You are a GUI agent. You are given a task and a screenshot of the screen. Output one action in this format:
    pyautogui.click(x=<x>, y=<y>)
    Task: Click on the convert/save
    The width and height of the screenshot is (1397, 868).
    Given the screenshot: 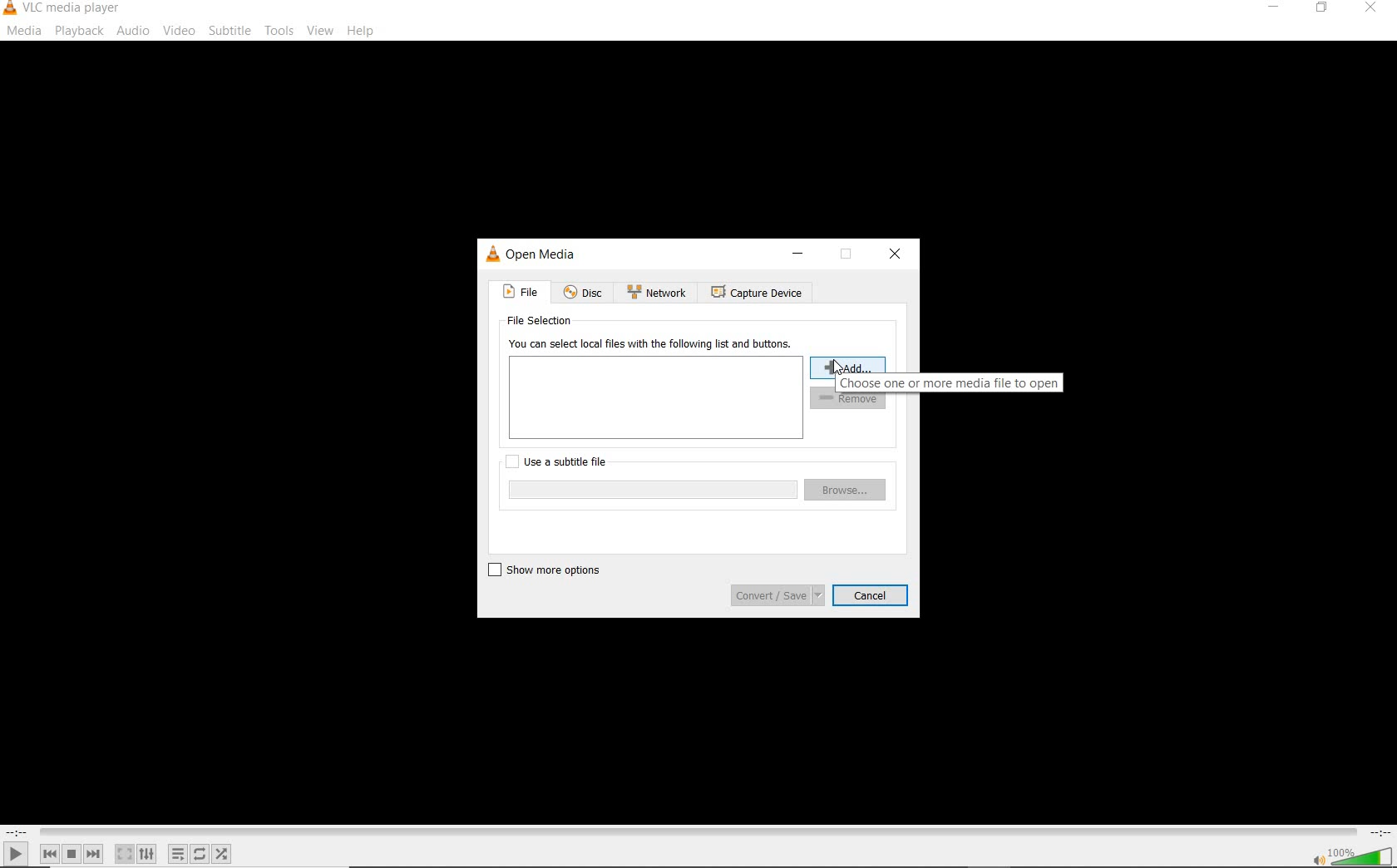 What is the action you would take?
    pyautogui.click(x=780, y=595)
    